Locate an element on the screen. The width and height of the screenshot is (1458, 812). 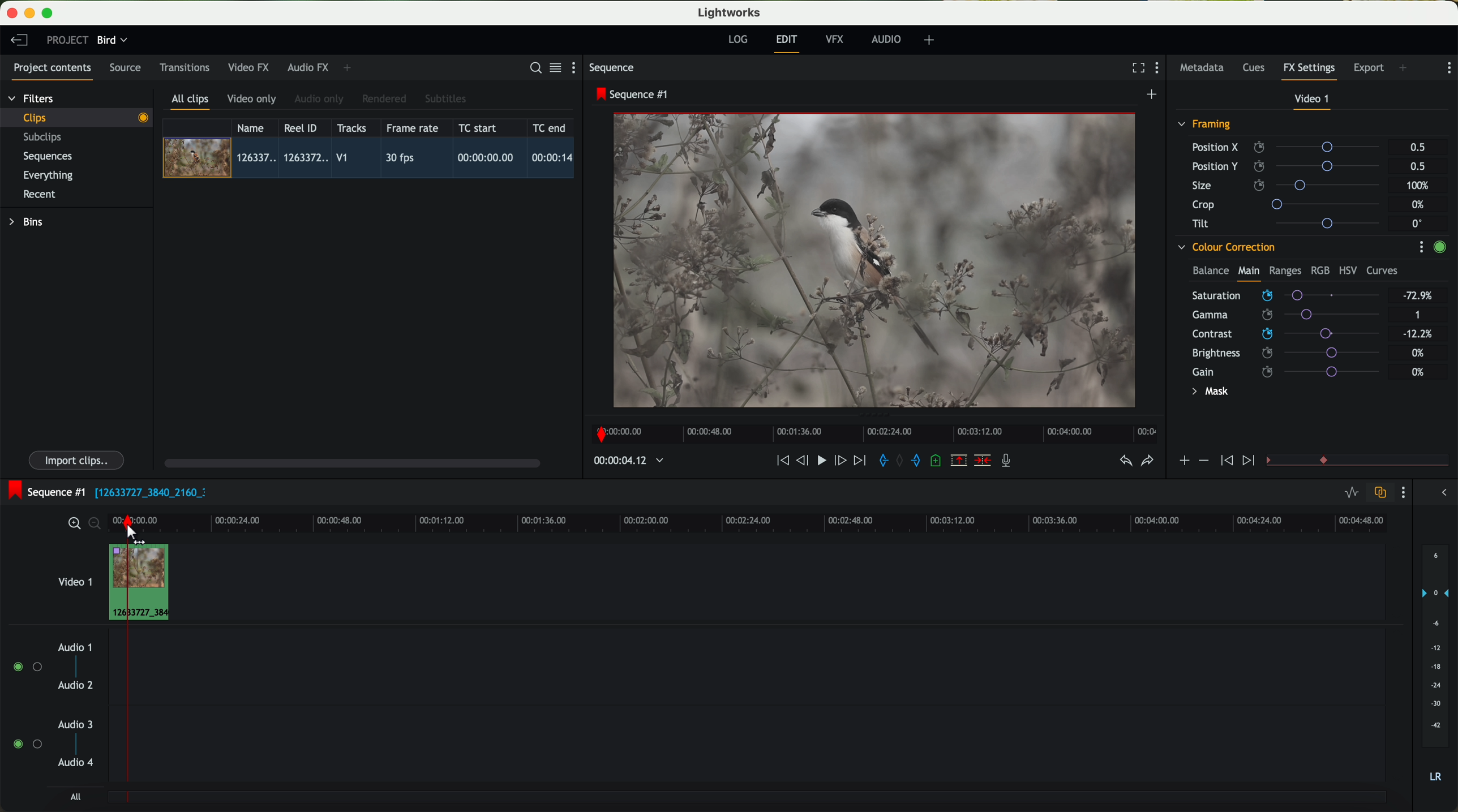
mask is located at coordinates (1208, 393).